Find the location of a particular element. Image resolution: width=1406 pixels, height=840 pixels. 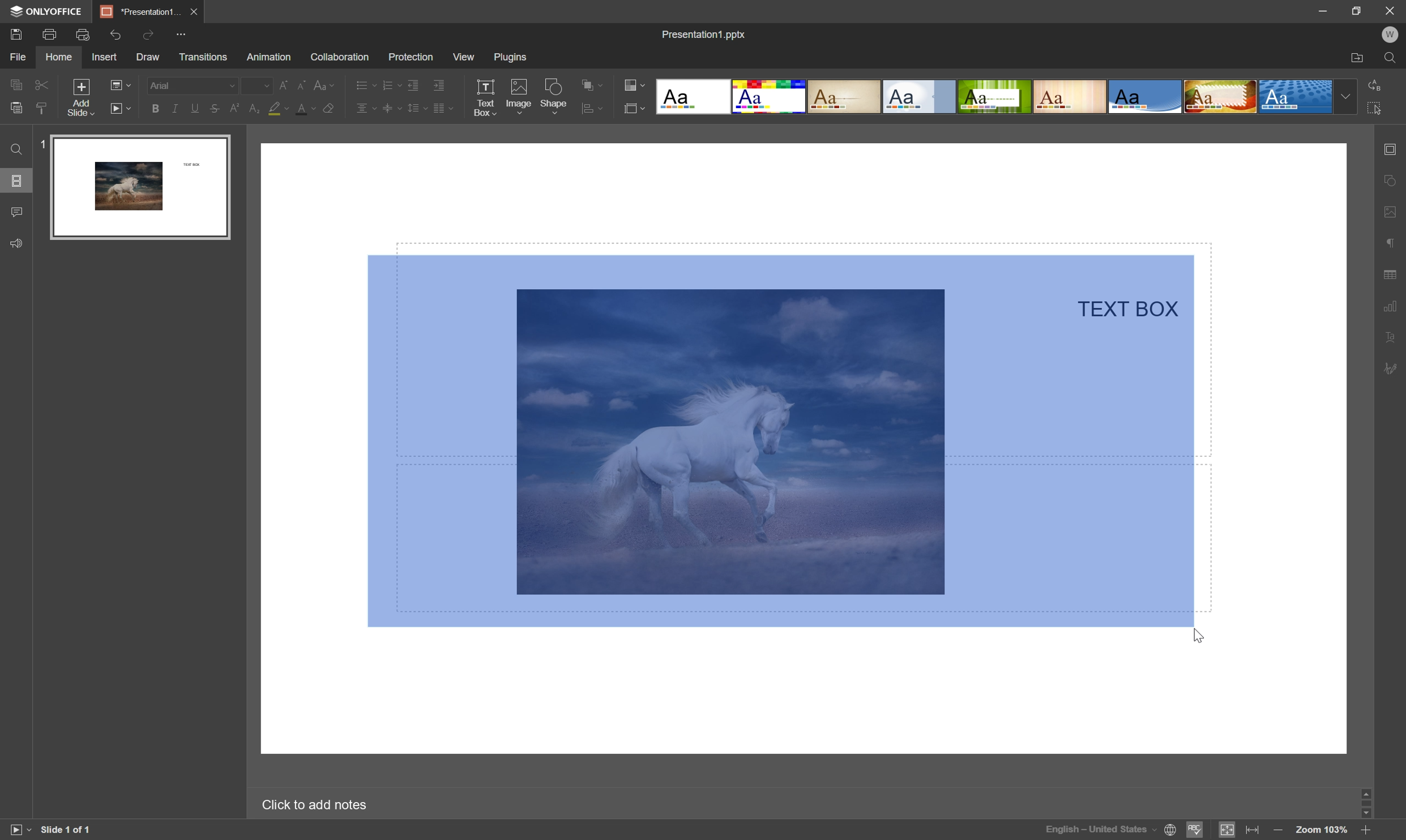

superscript is located at coordinates (237, 109).